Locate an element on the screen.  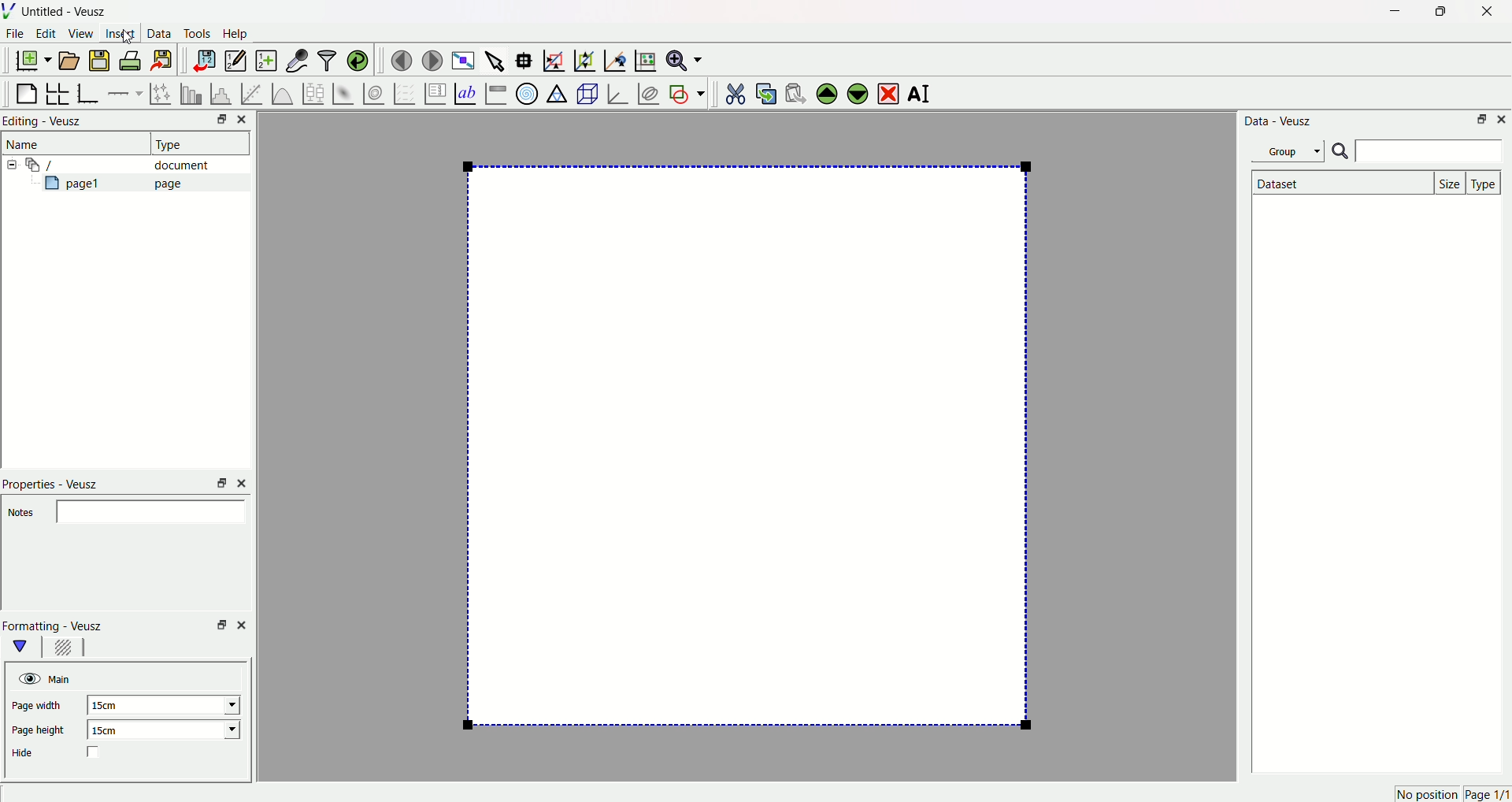
View is located at coordinates (81, 35).